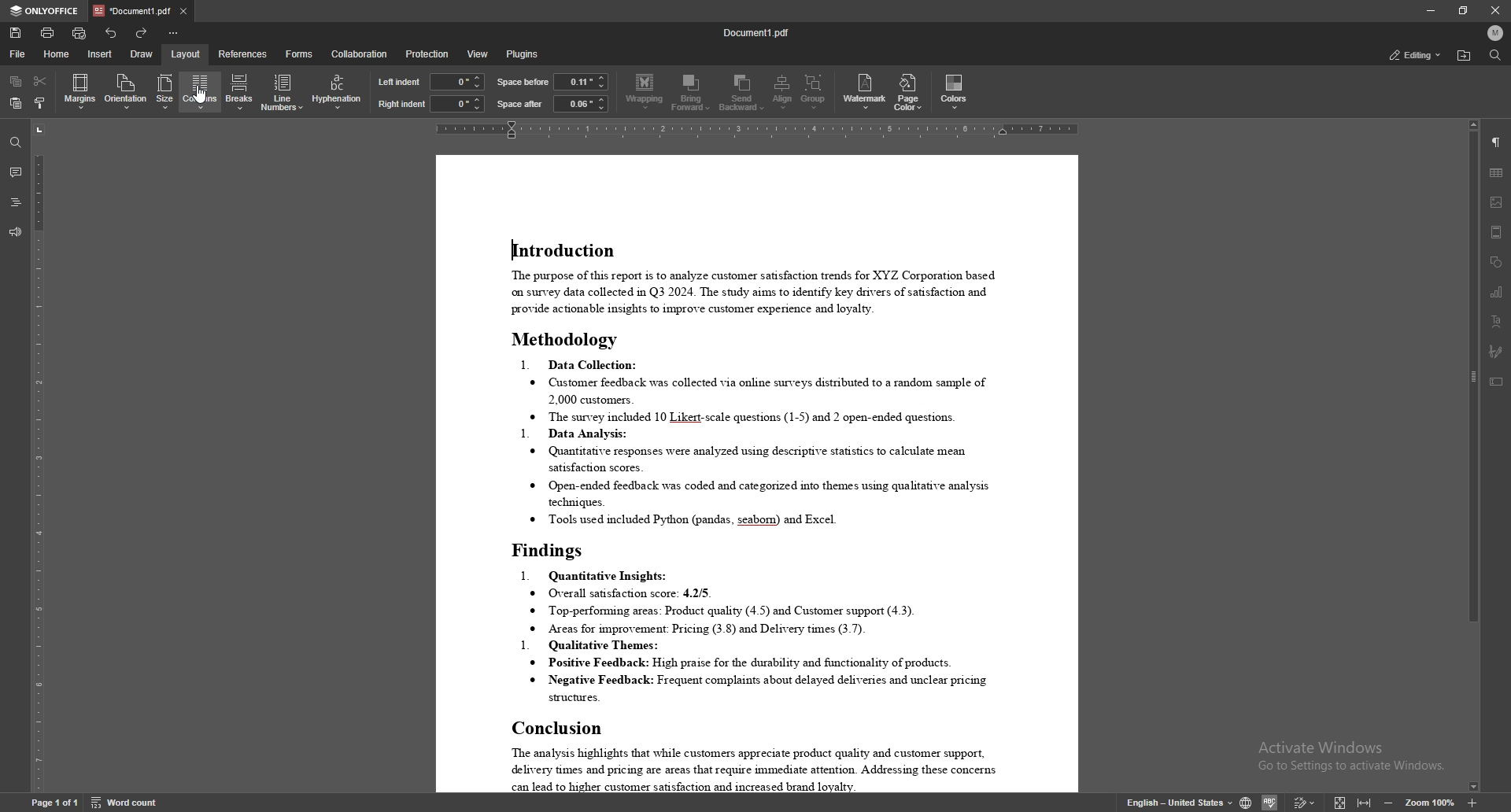 This screenshot has width=1511, height=812. I want to click on heading, so click(16, 203).